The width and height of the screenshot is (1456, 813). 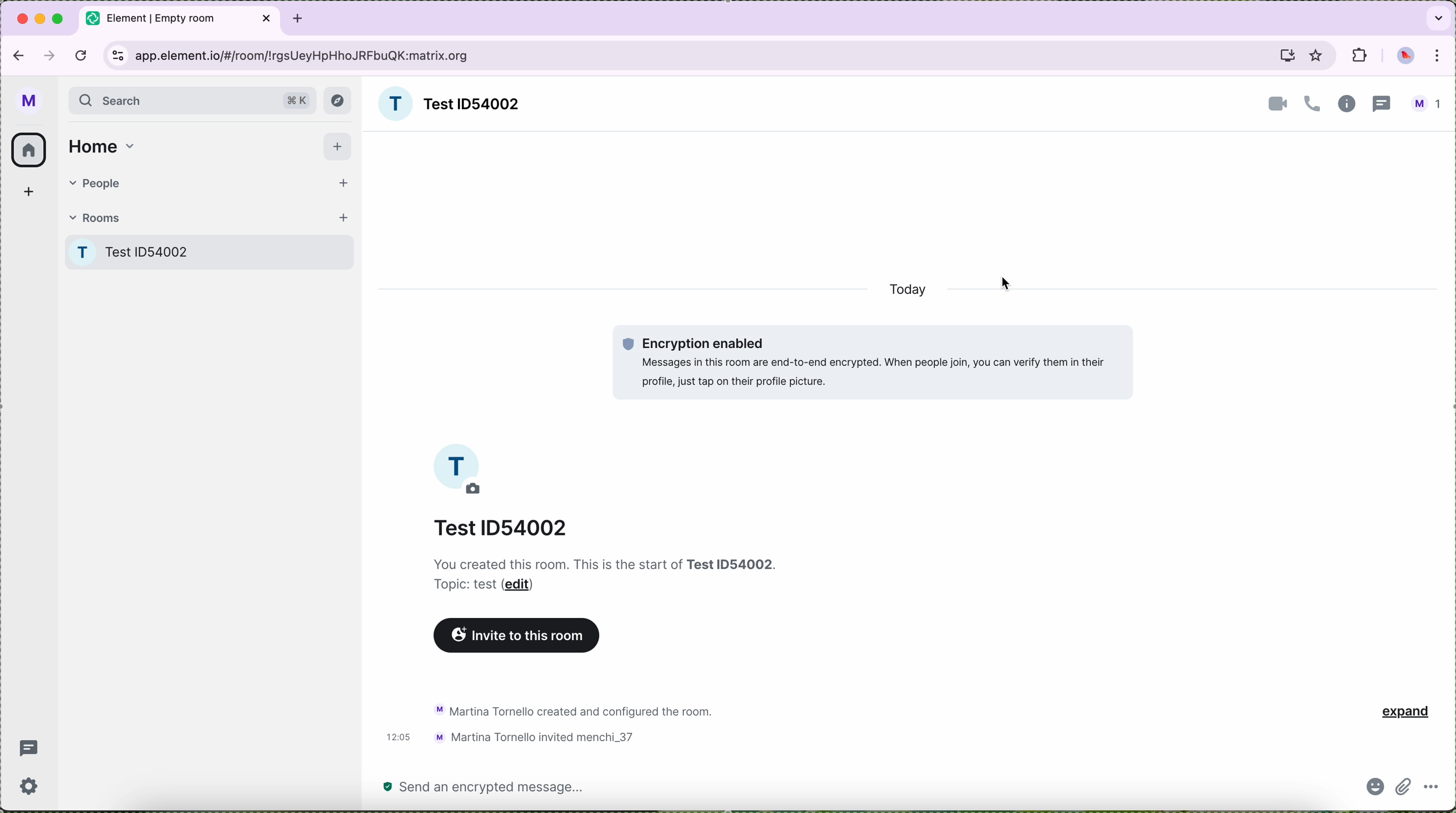 I want to click on home tab, so click(x=100, y=144).